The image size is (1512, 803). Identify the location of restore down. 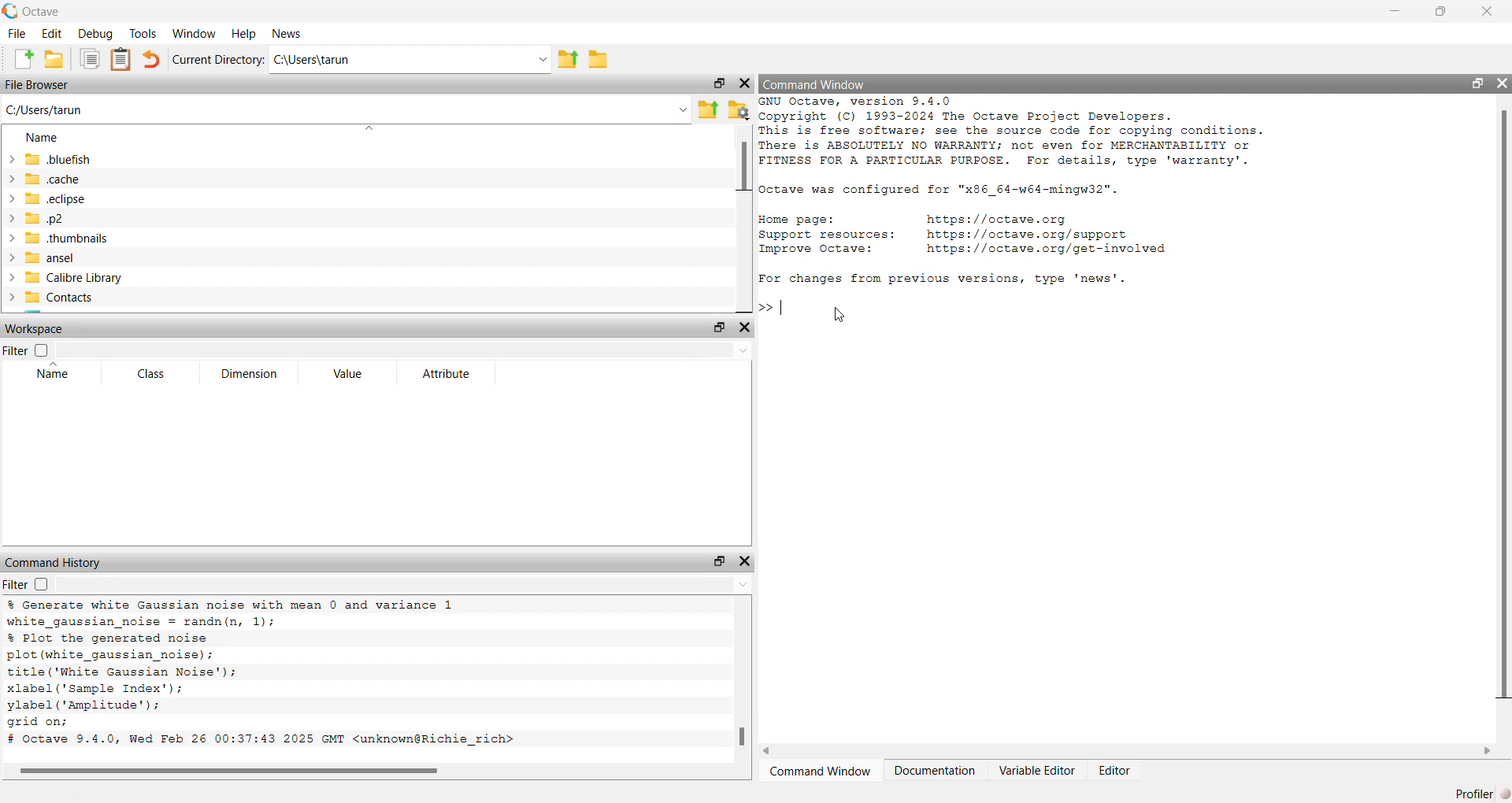
(1440, 11).